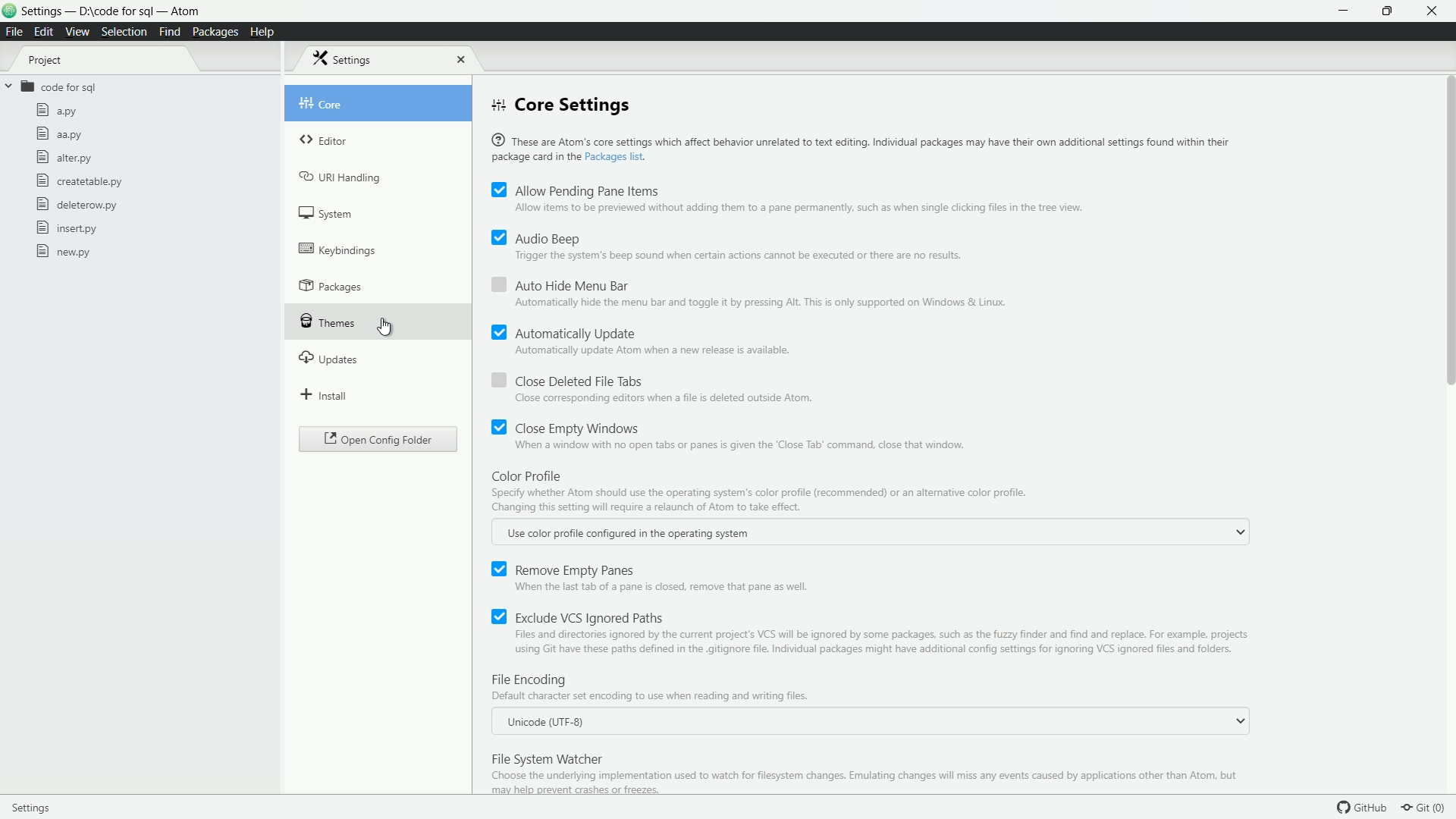 The width and height of the screenshot is (1456, 819). I want to click on find menu, so click(168, 31).